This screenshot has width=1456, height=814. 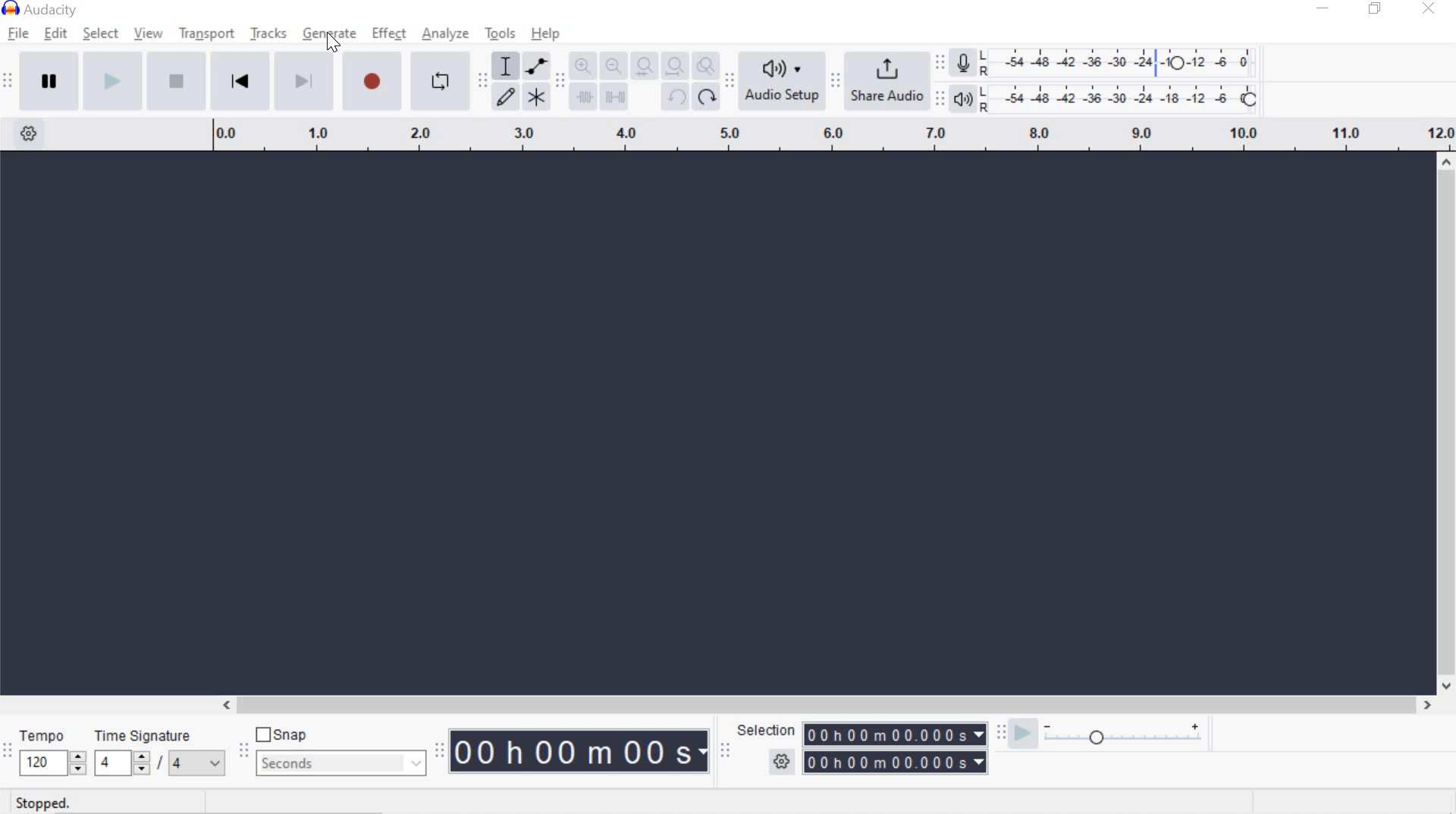 I want to click on Time signature toolbar, so click(x=8, y=753).